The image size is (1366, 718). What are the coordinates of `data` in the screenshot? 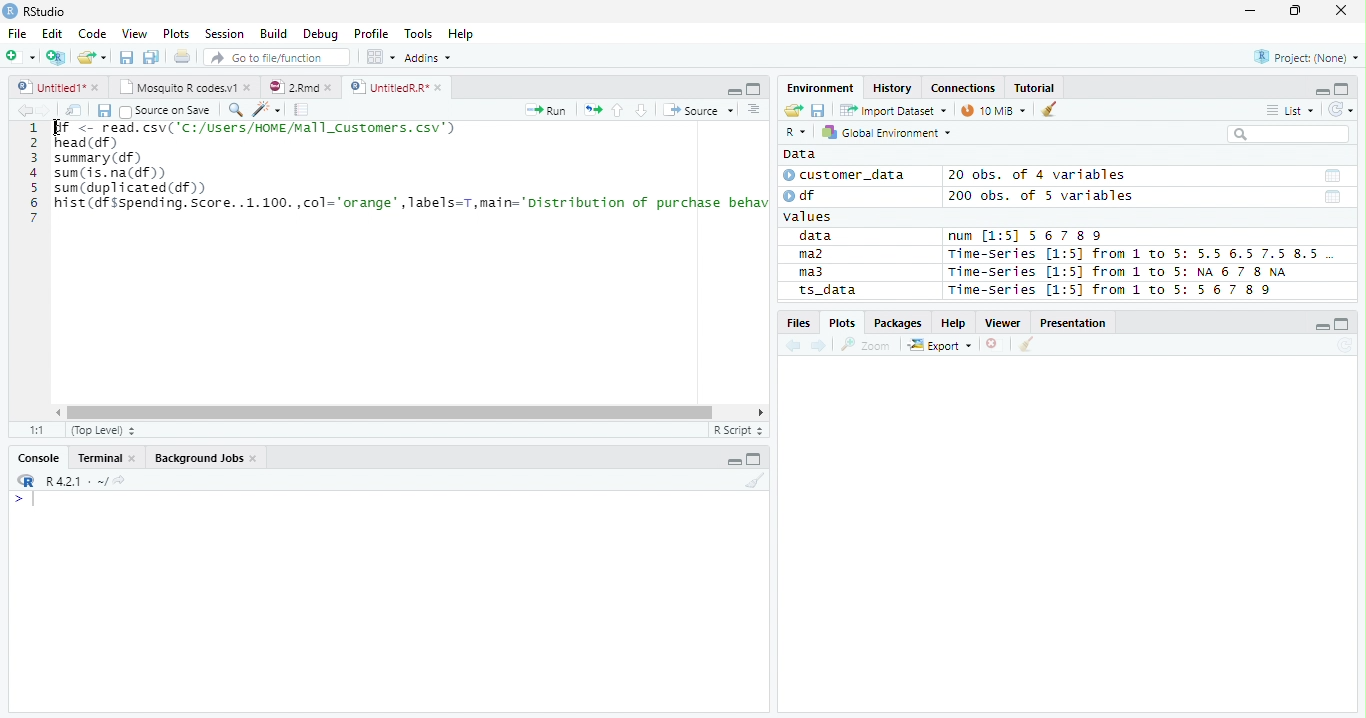 It's located at (819, 237).